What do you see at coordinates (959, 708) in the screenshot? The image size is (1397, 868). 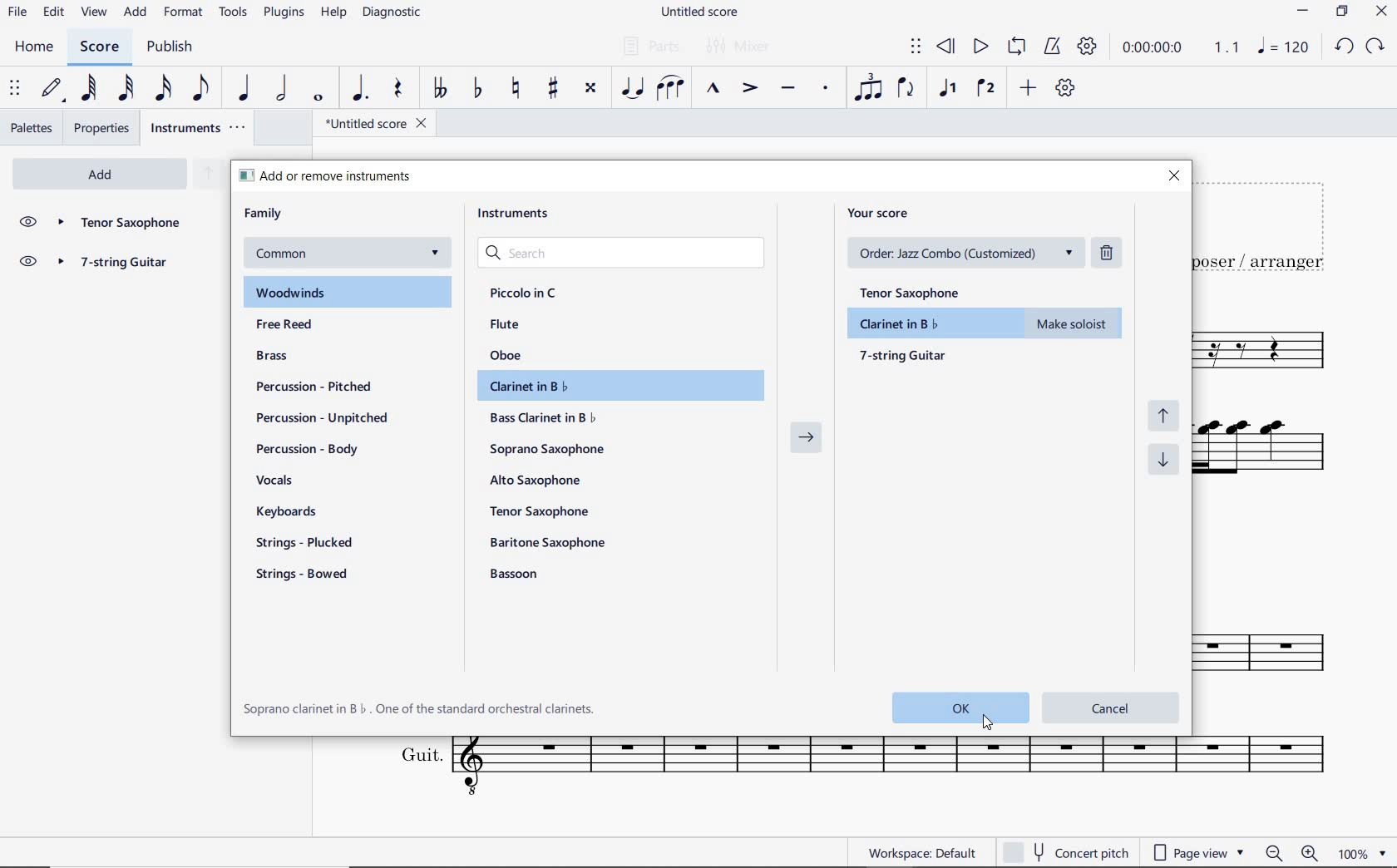 I see `ok` at bounding box center [959, 708].